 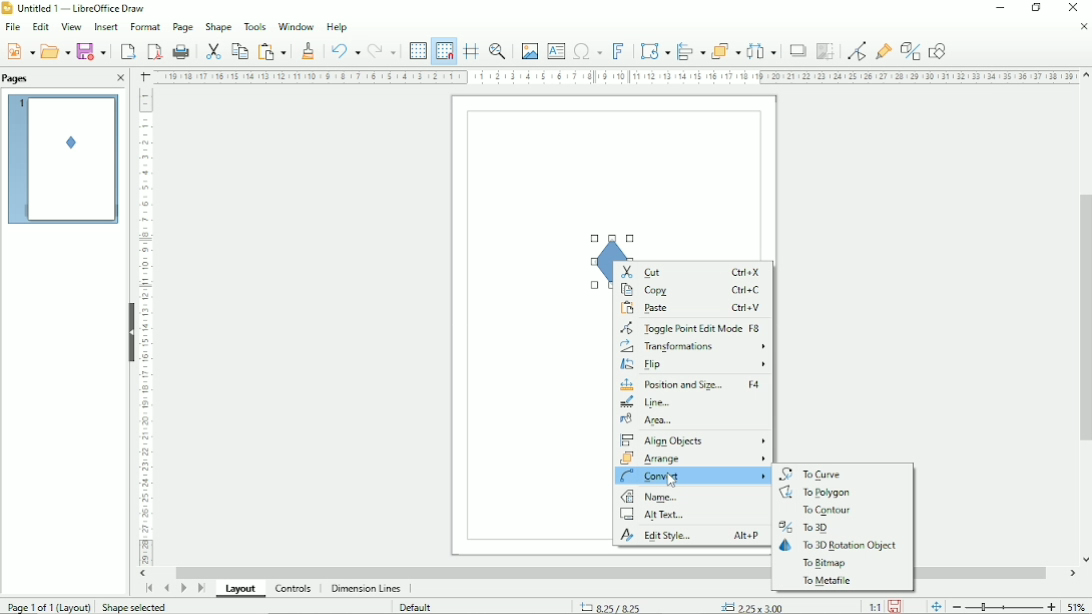 What do you see at coordinates (874, 606) in the screenshot?
I see `Scaling factor` at bounding box center [874, 606].